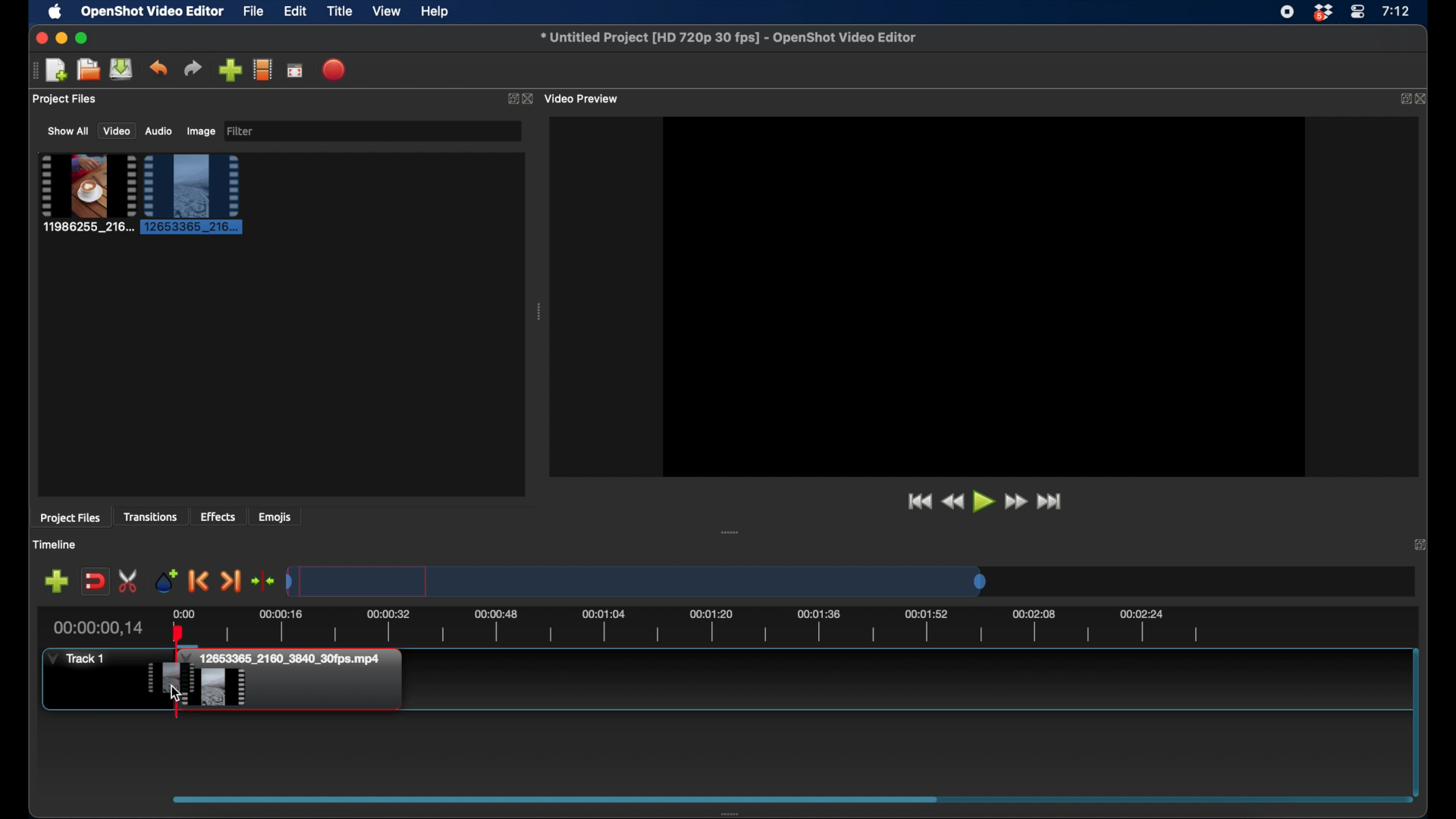  I want to click on choose profile, so click(263, 69).